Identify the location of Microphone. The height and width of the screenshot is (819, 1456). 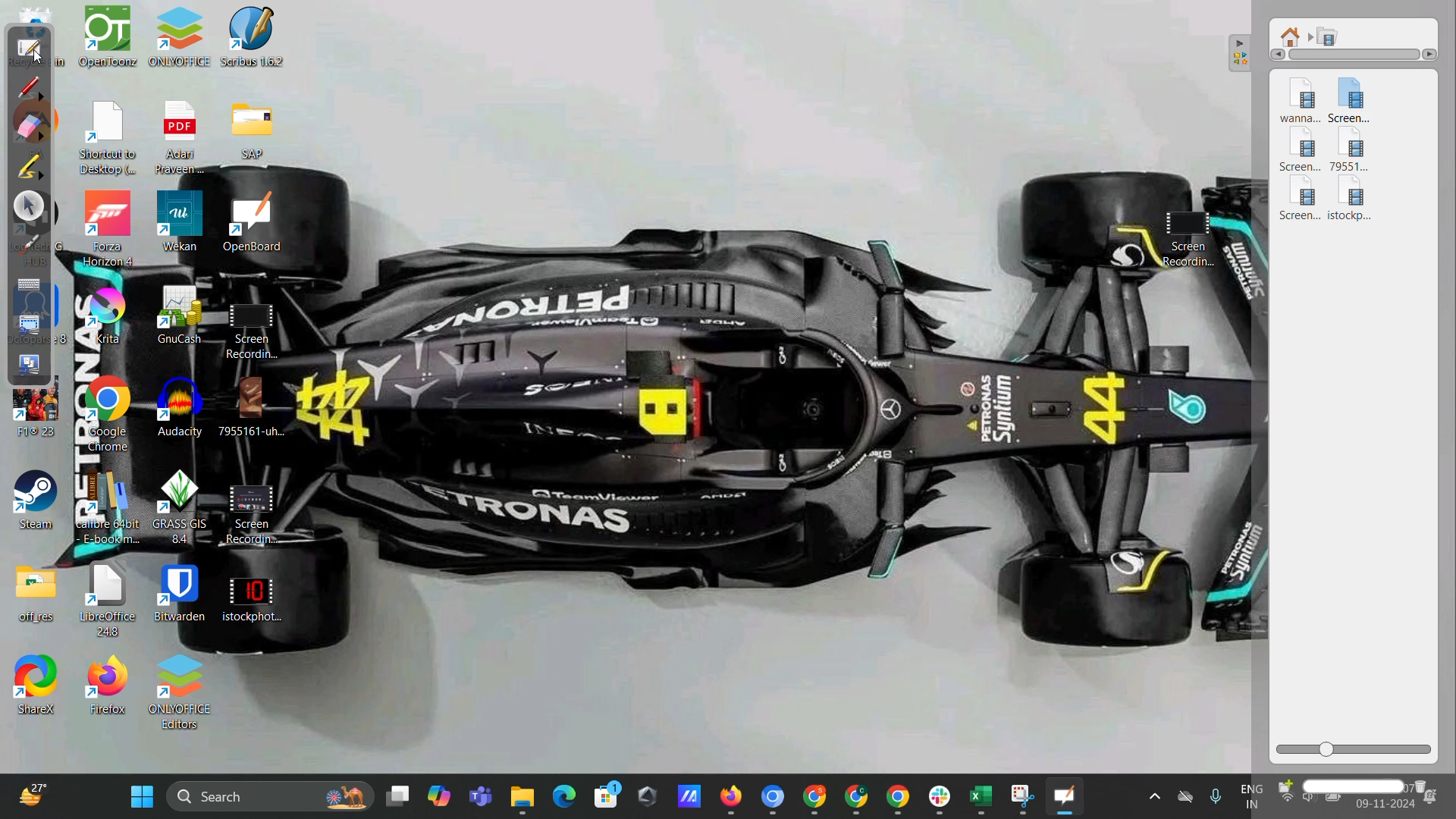
(1215, 793).